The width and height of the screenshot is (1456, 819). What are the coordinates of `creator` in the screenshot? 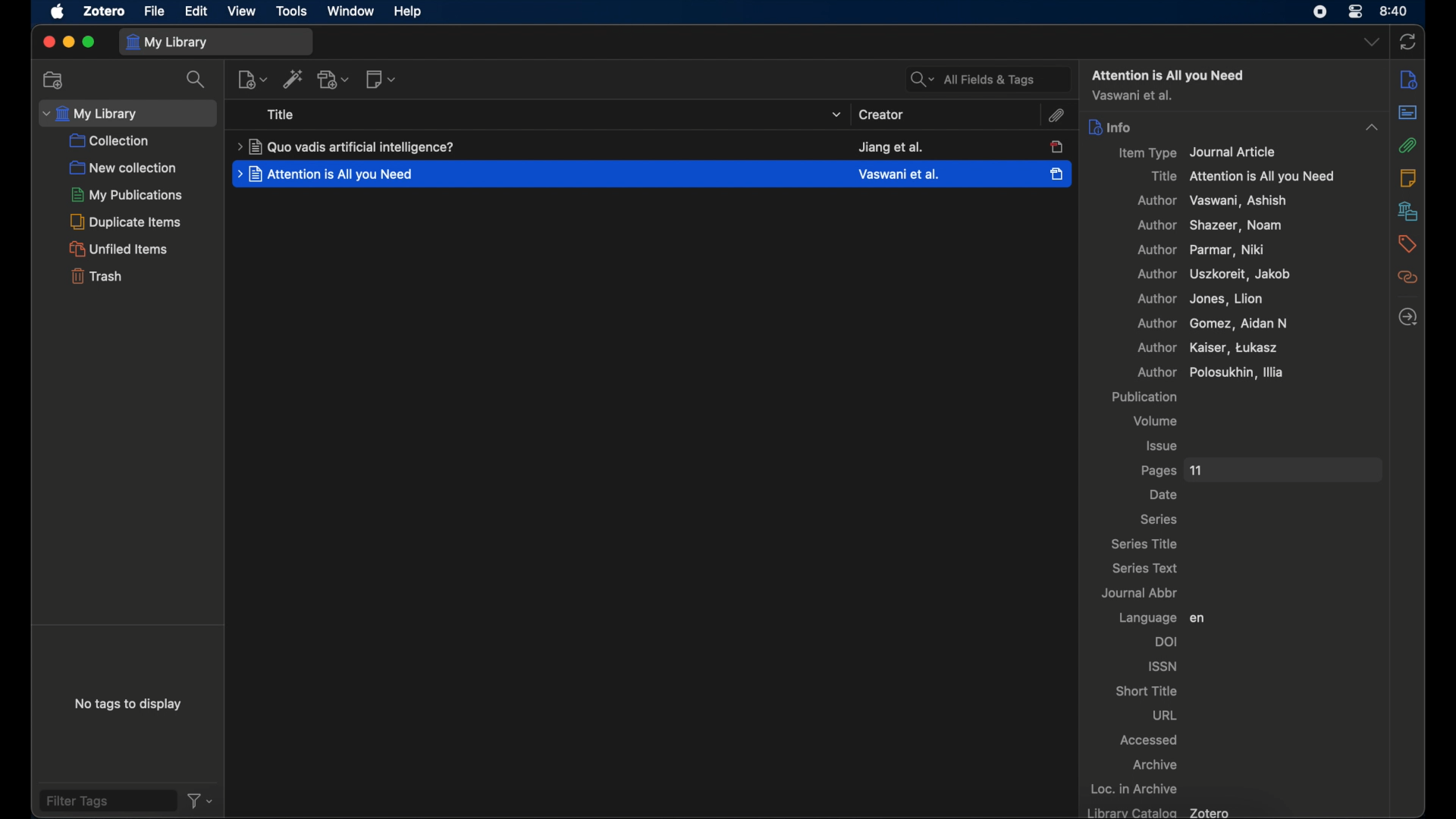 It's located at (880, 115).